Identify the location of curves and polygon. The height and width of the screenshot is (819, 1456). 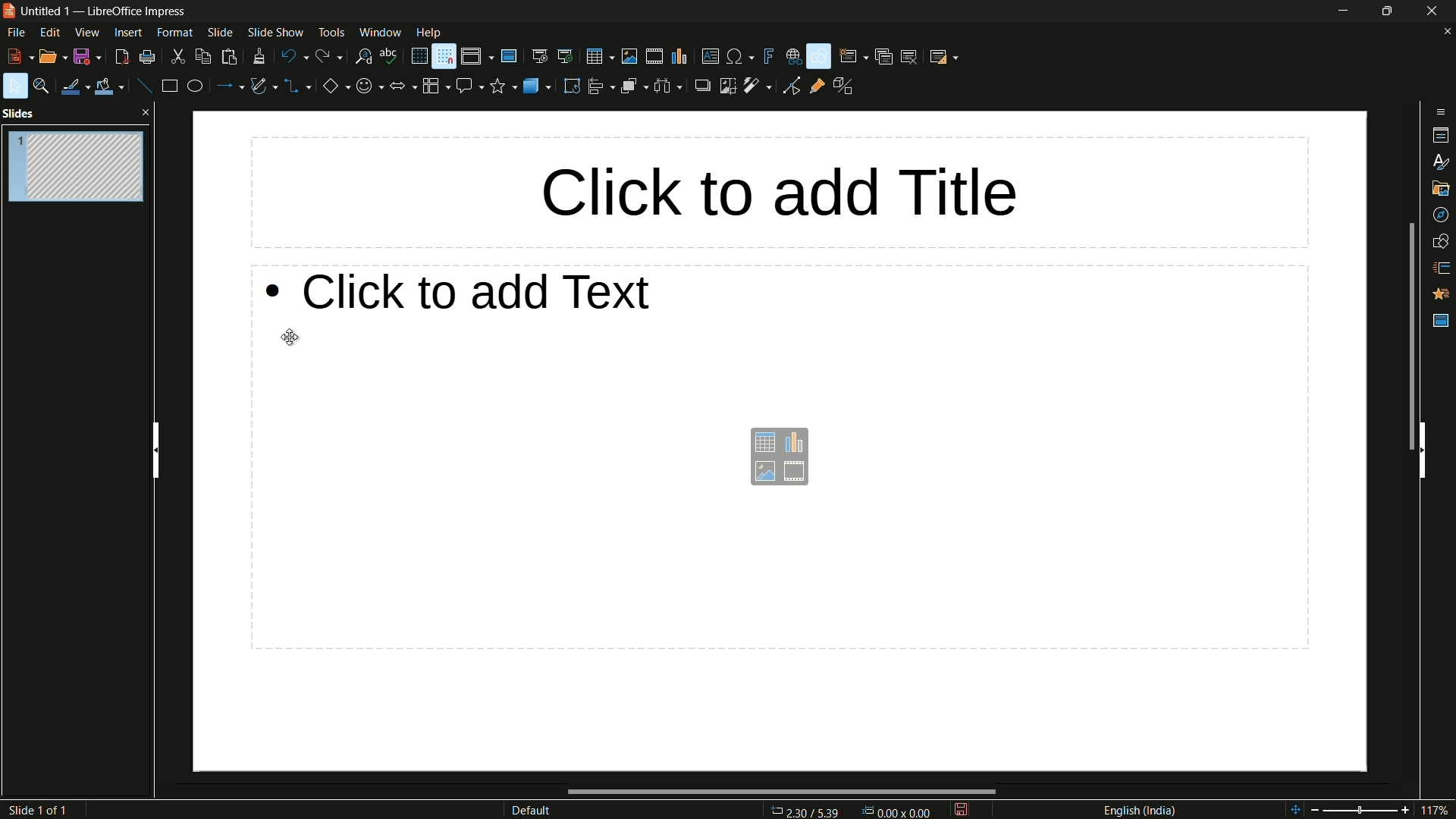
(262, 86).